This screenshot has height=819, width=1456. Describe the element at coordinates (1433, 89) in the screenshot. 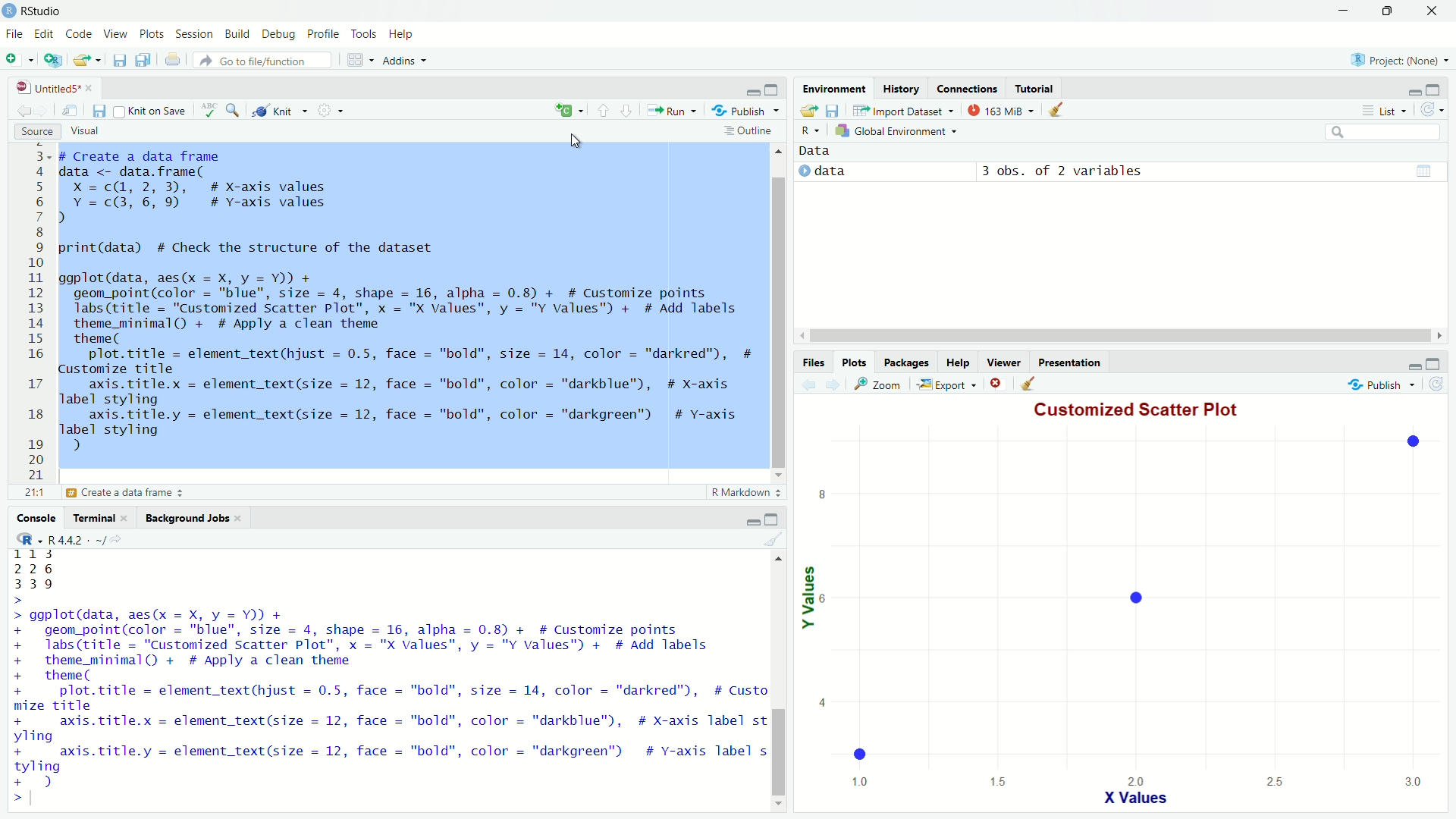

I see `Maximize` at that location.